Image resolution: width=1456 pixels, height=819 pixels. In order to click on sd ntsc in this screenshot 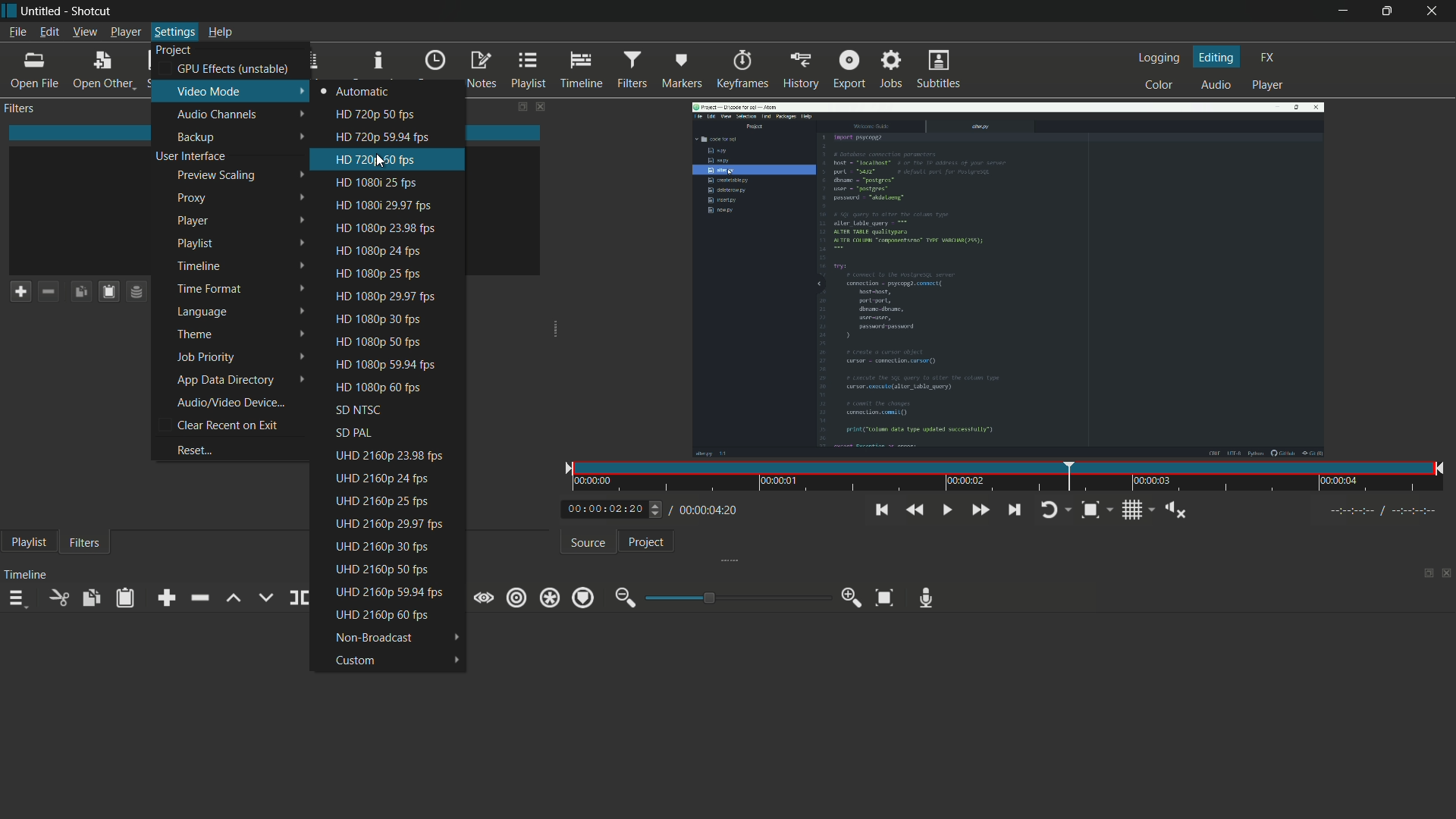, I will do `click(389, 408)`.